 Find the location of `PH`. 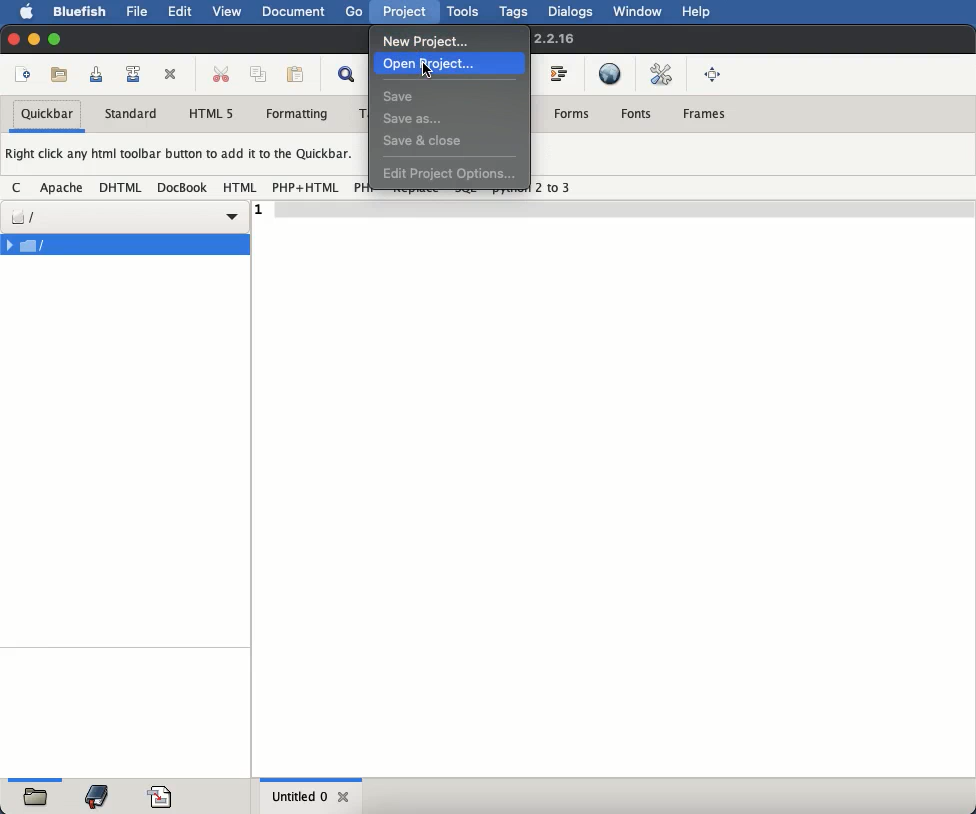

PH is located at coordinates (362, 184).